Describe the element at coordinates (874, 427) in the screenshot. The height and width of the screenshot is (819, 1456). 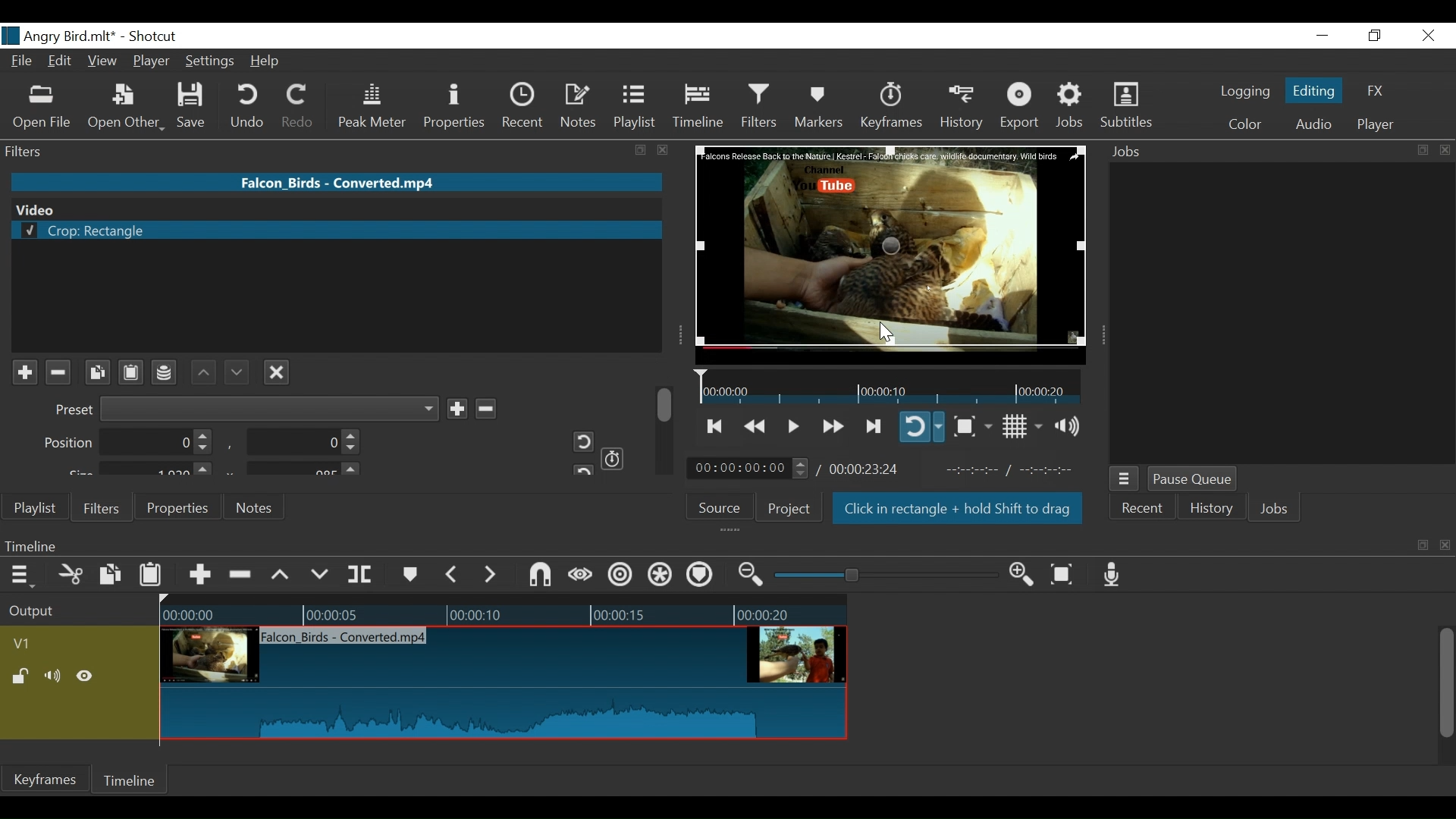
I see `Skip to the next point` at that location.